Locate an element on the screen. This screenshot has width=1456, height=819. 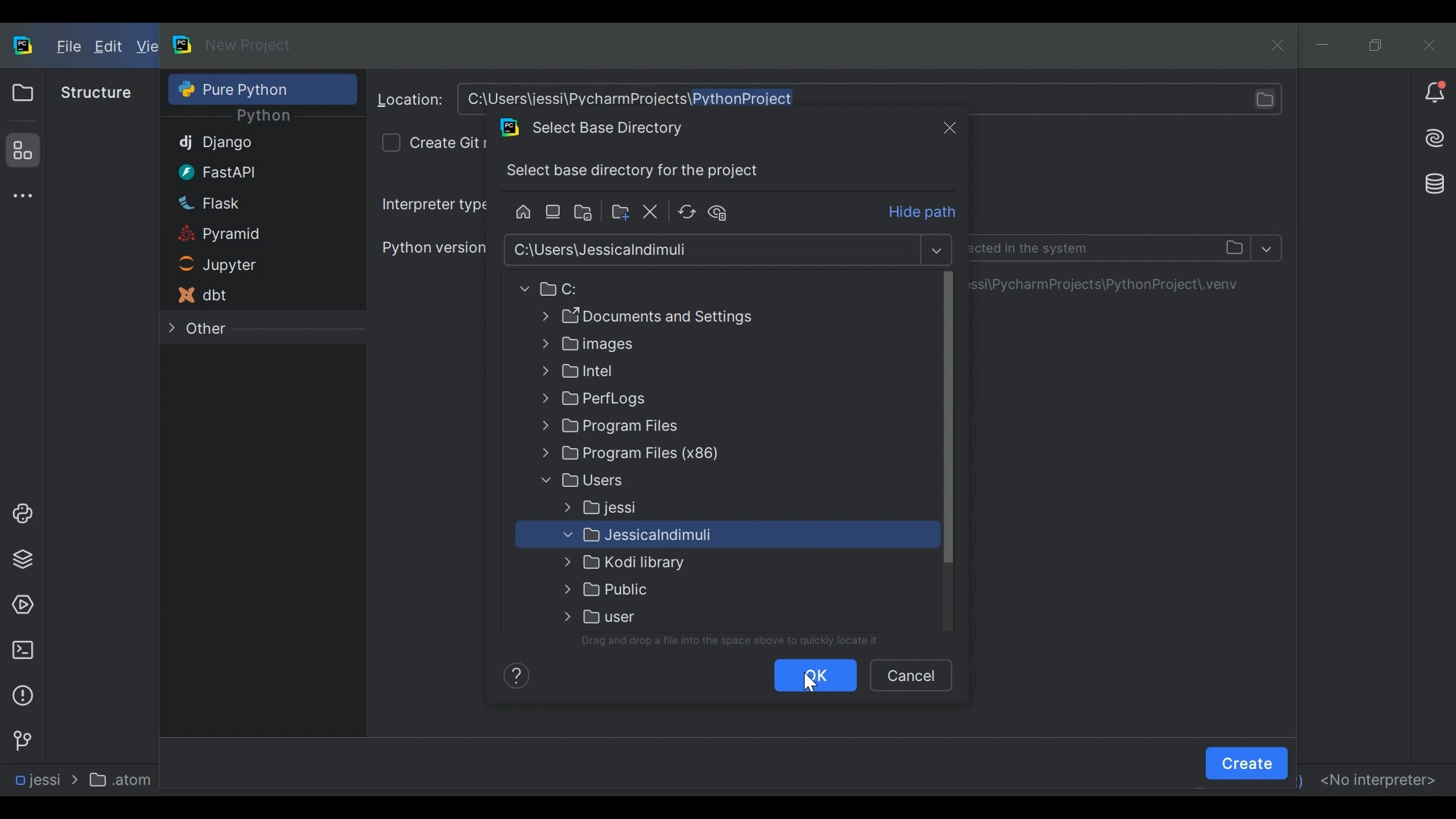
check box is located at coordinates (390, 142).